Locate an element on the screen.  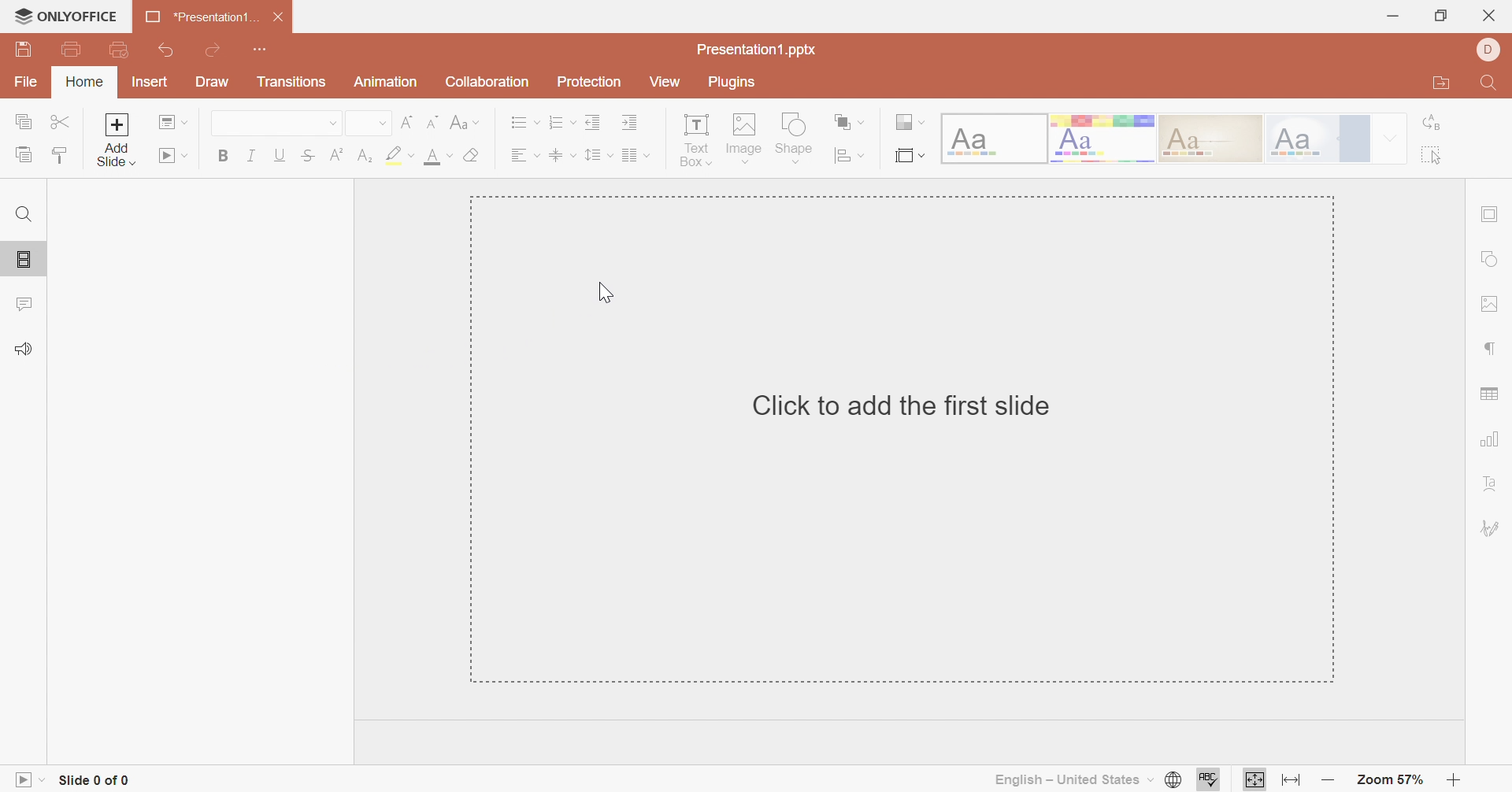
Start slideshow is located at coordinates (168, 155).